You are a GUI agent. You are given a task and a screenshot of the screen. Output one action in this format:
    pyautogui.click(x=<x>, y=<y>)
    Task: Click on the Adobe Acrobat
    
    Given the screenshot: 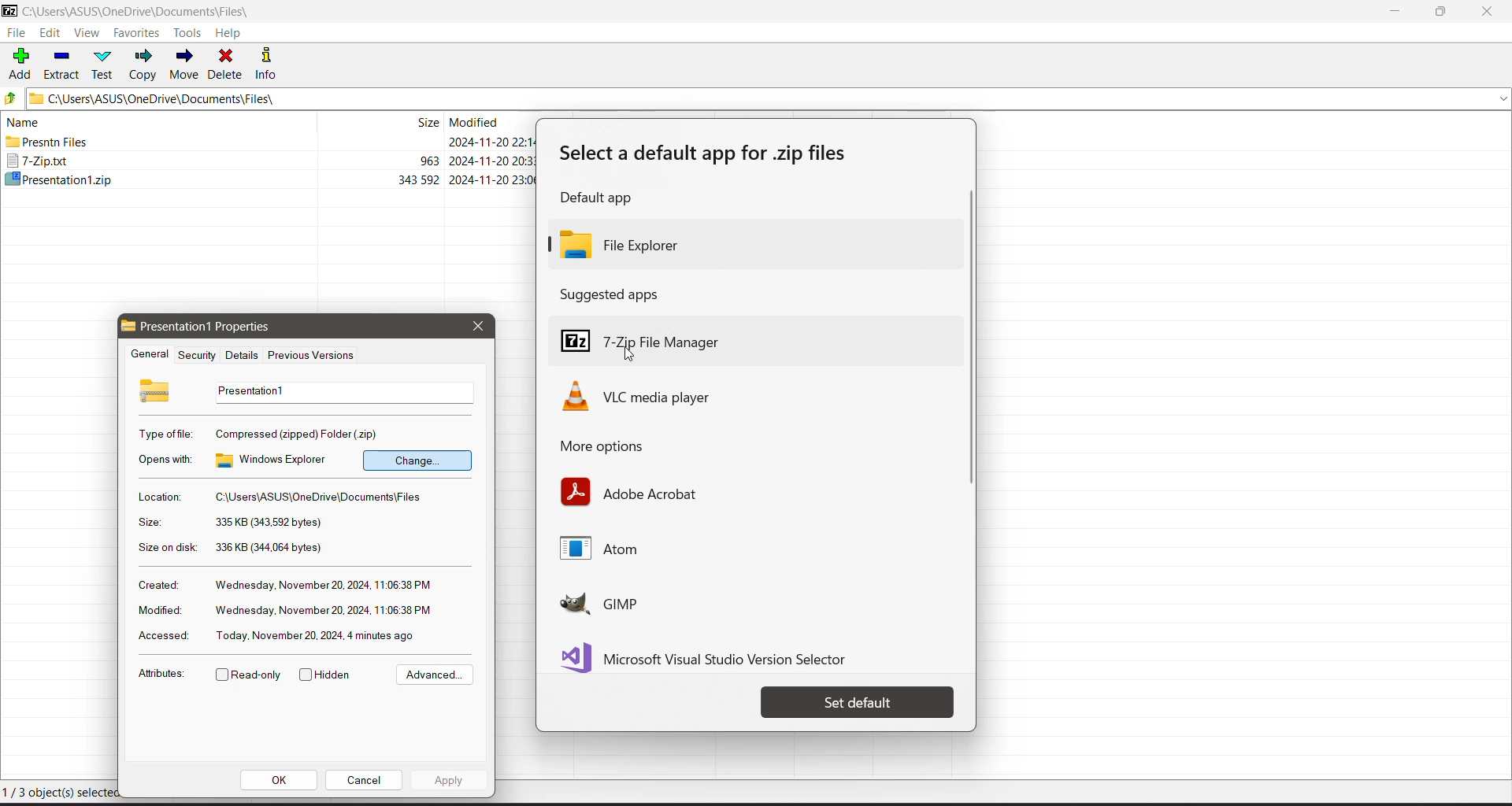 What is the action you would take?
    pyautogui.click(x=632, y=492)
    